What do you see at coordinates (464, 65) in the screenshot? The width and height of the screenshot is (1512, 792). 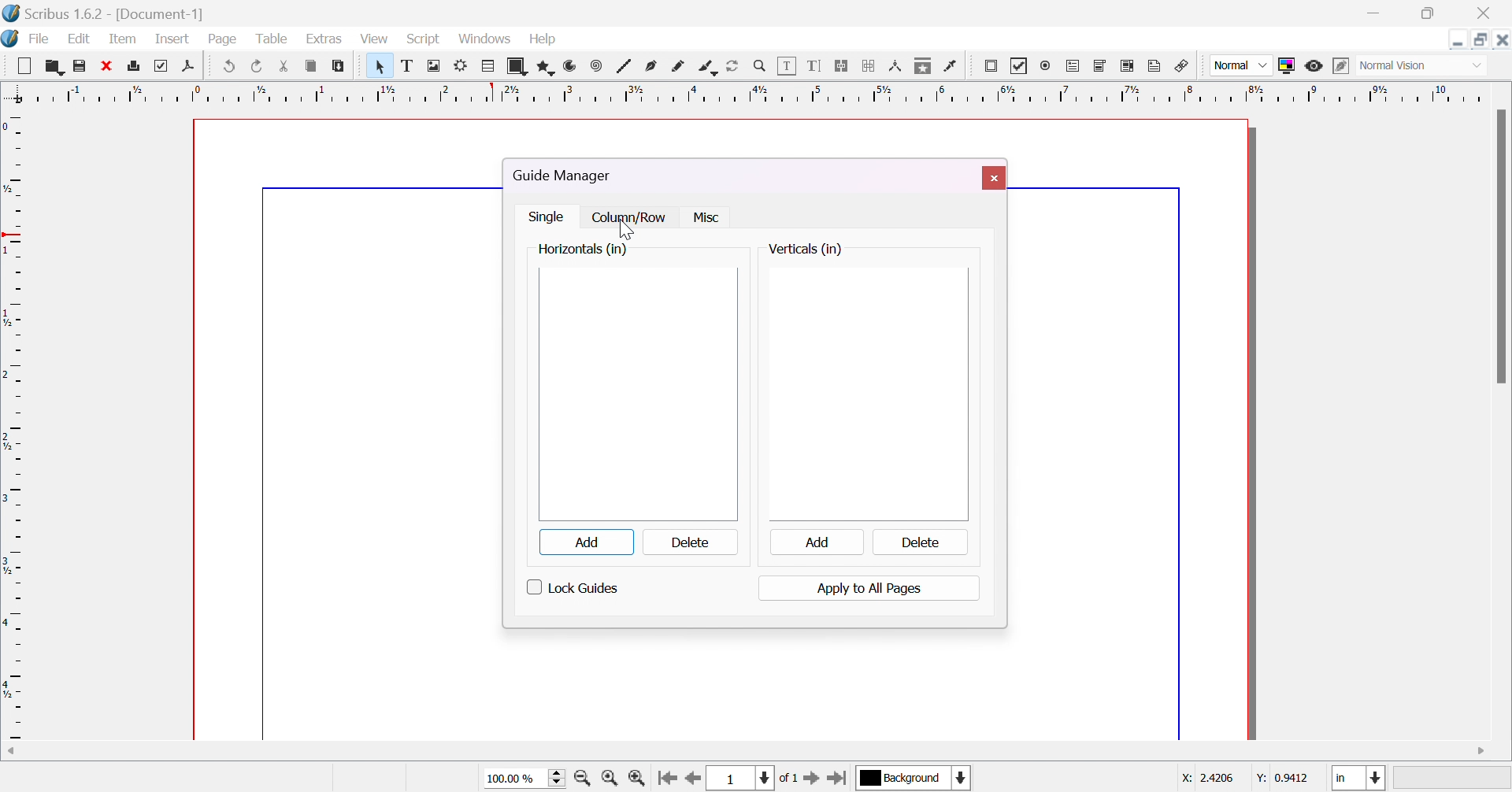 I see `render frame` at bounding box center [464, 65].